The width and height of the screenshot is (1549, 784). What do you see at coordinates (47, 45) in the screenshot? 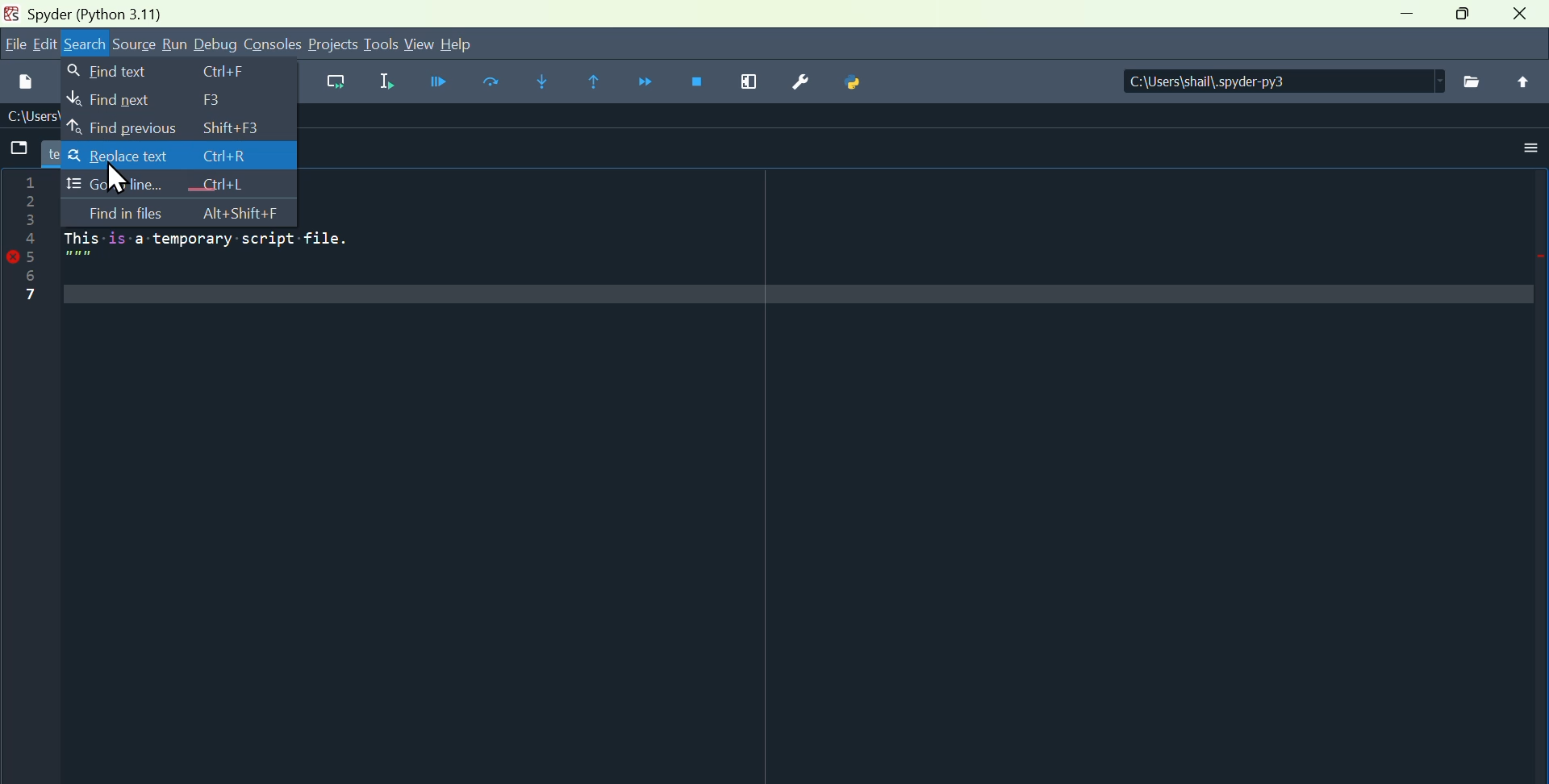
I see `Edit` at bounding box center [47, 45].